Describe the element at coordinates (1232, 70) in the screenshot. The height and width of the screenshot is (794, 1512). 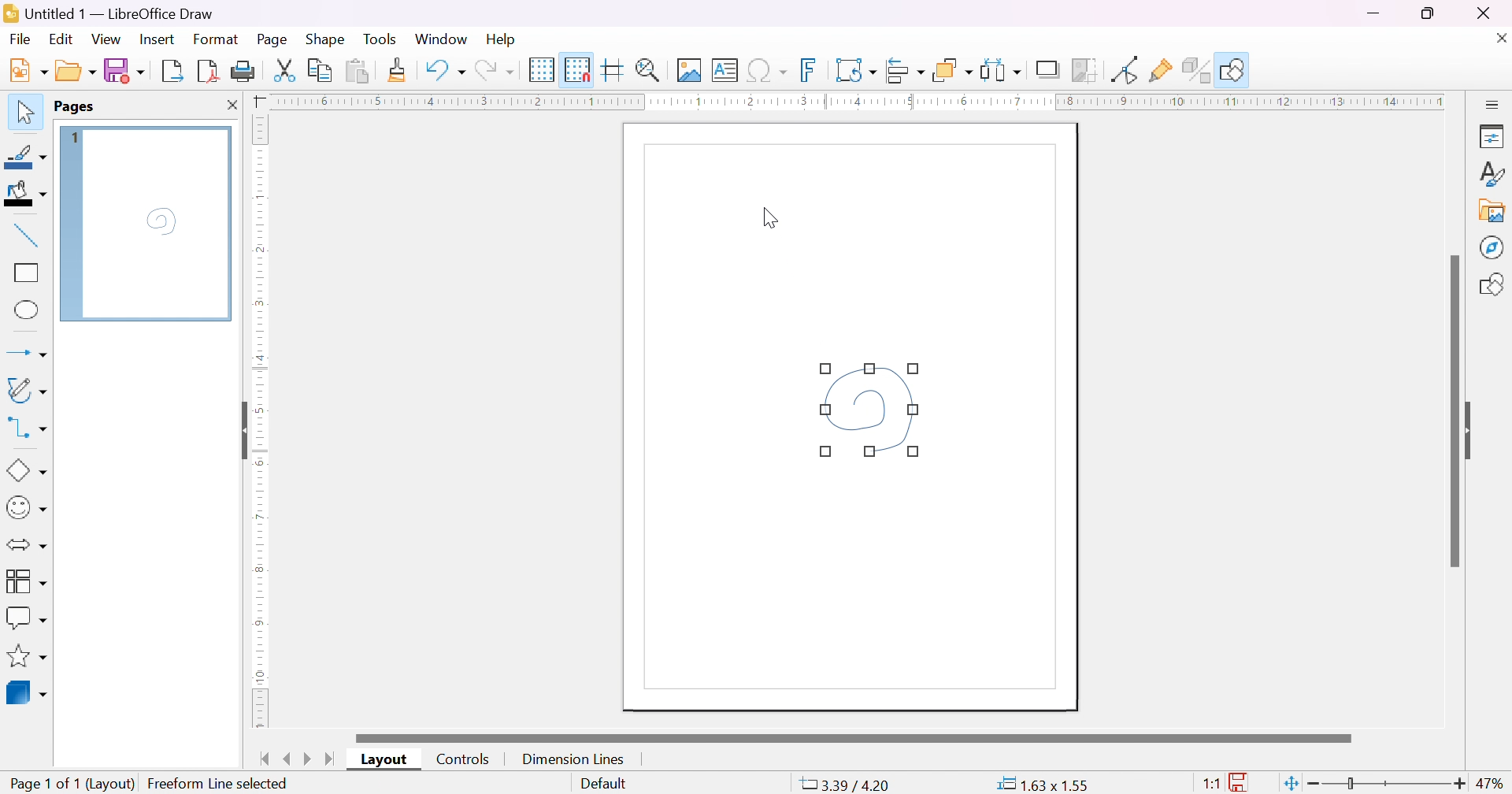
I see `show draw function` at that location.